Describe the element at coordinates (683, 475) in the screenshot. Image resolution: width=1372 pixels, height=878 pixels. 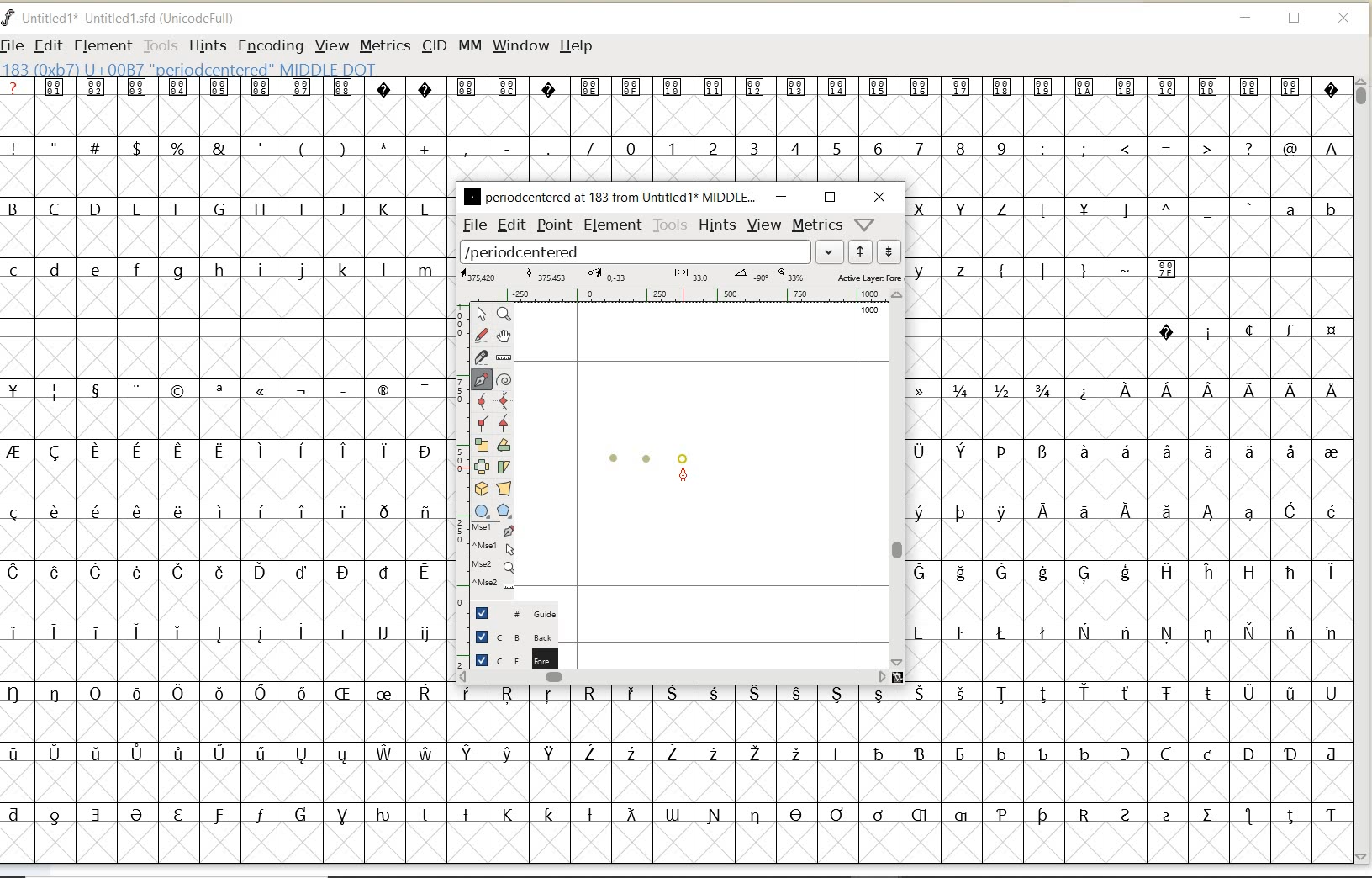
I see `feltpen tool/cursor location` at that location.